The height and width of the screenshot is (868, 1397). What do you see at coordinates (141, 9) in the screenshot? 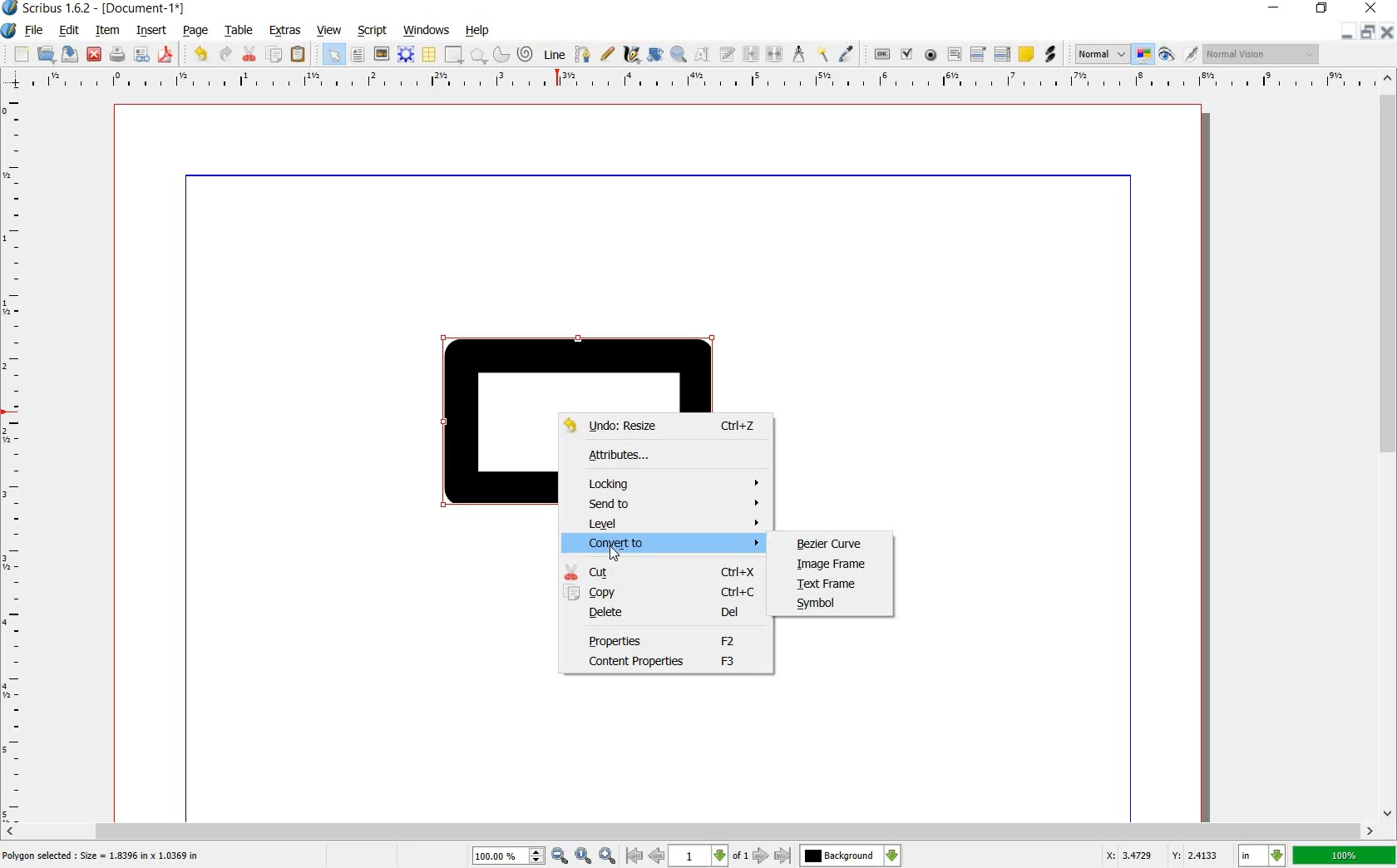
I see `-[Document-1*]` at bounding box center [141, 9].